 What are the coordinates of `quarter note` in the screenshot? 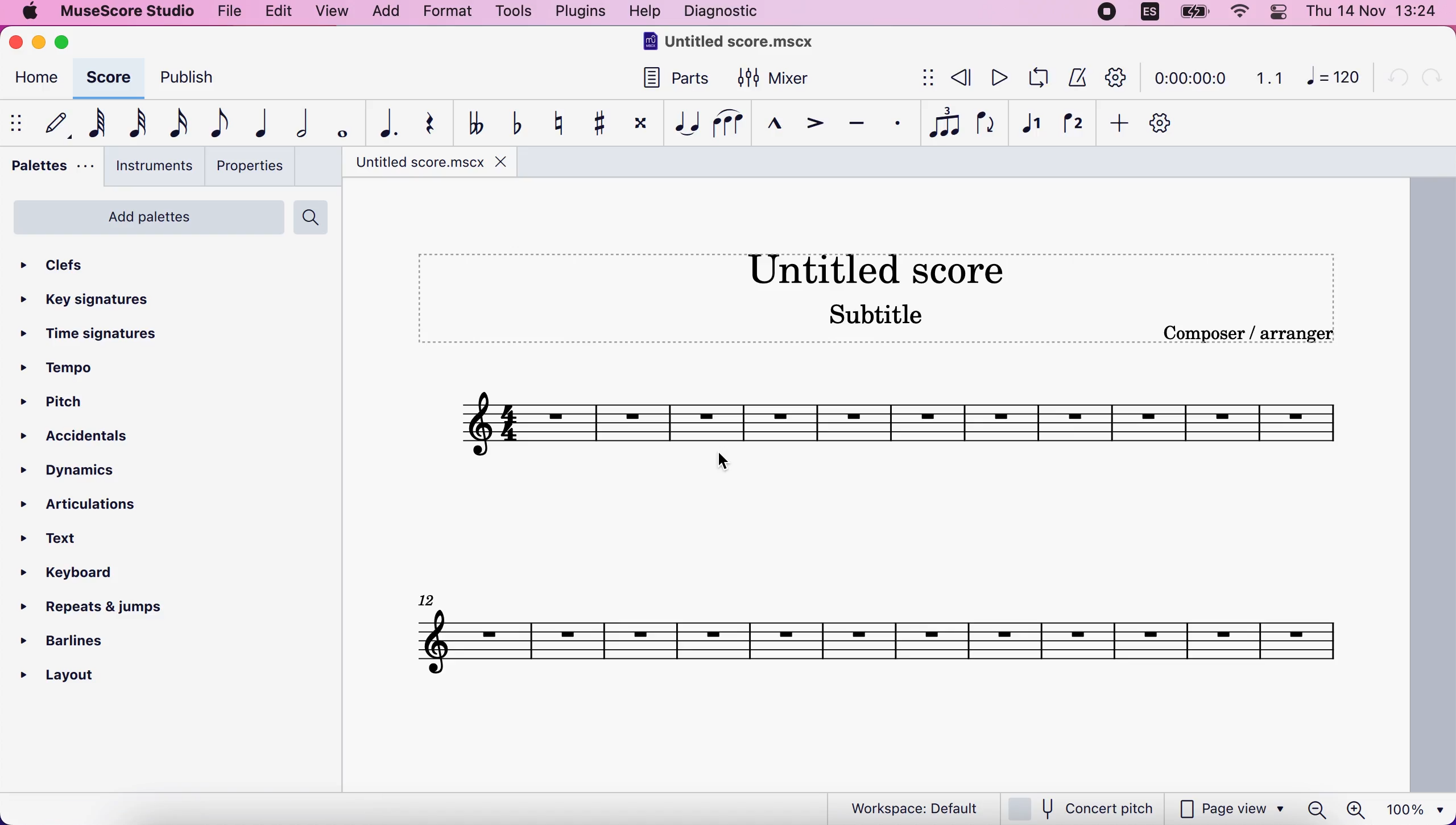 It's located at (258, 125).